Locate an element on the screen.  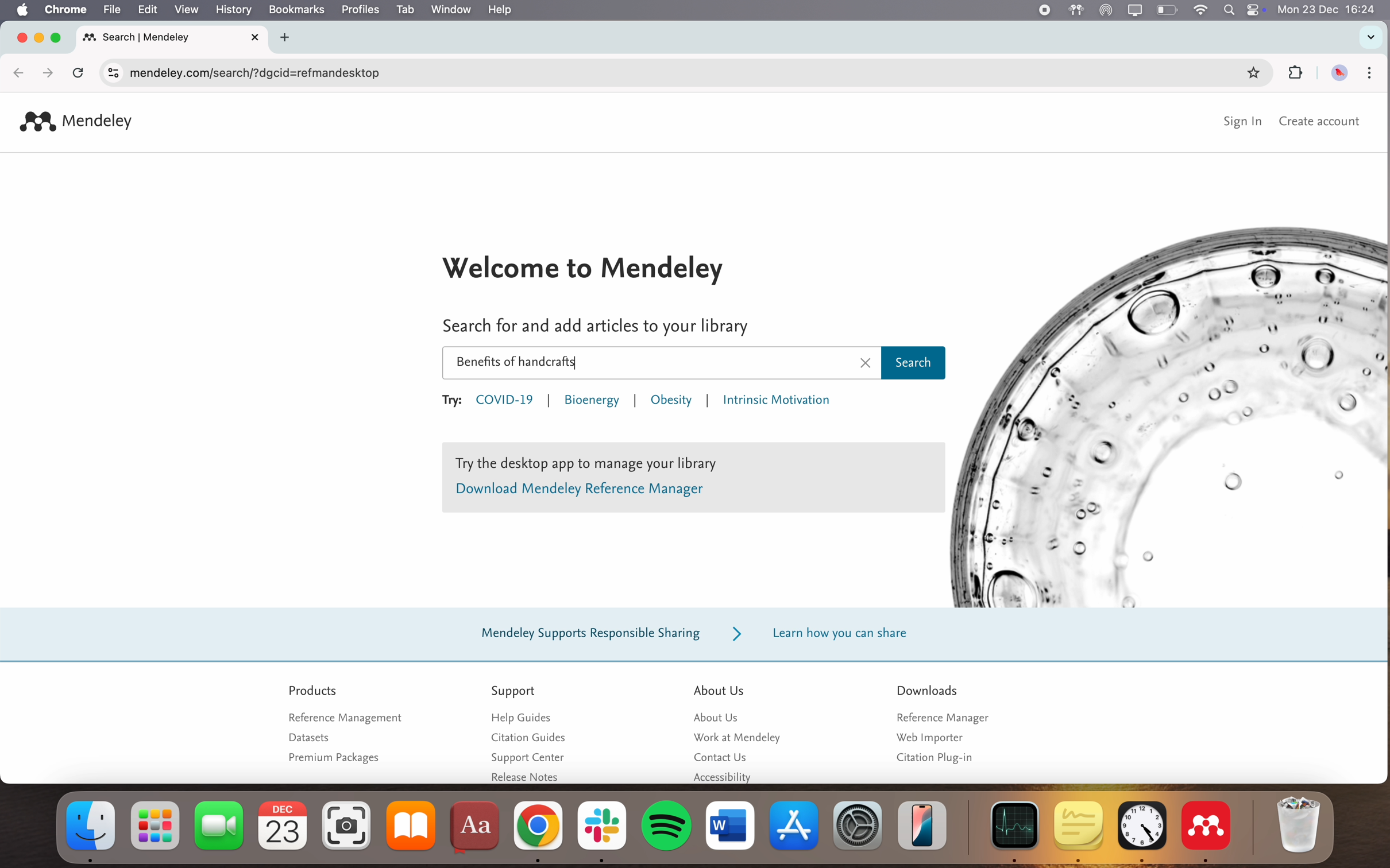
benefits of handcrafts is located at coordinates (517, 363).